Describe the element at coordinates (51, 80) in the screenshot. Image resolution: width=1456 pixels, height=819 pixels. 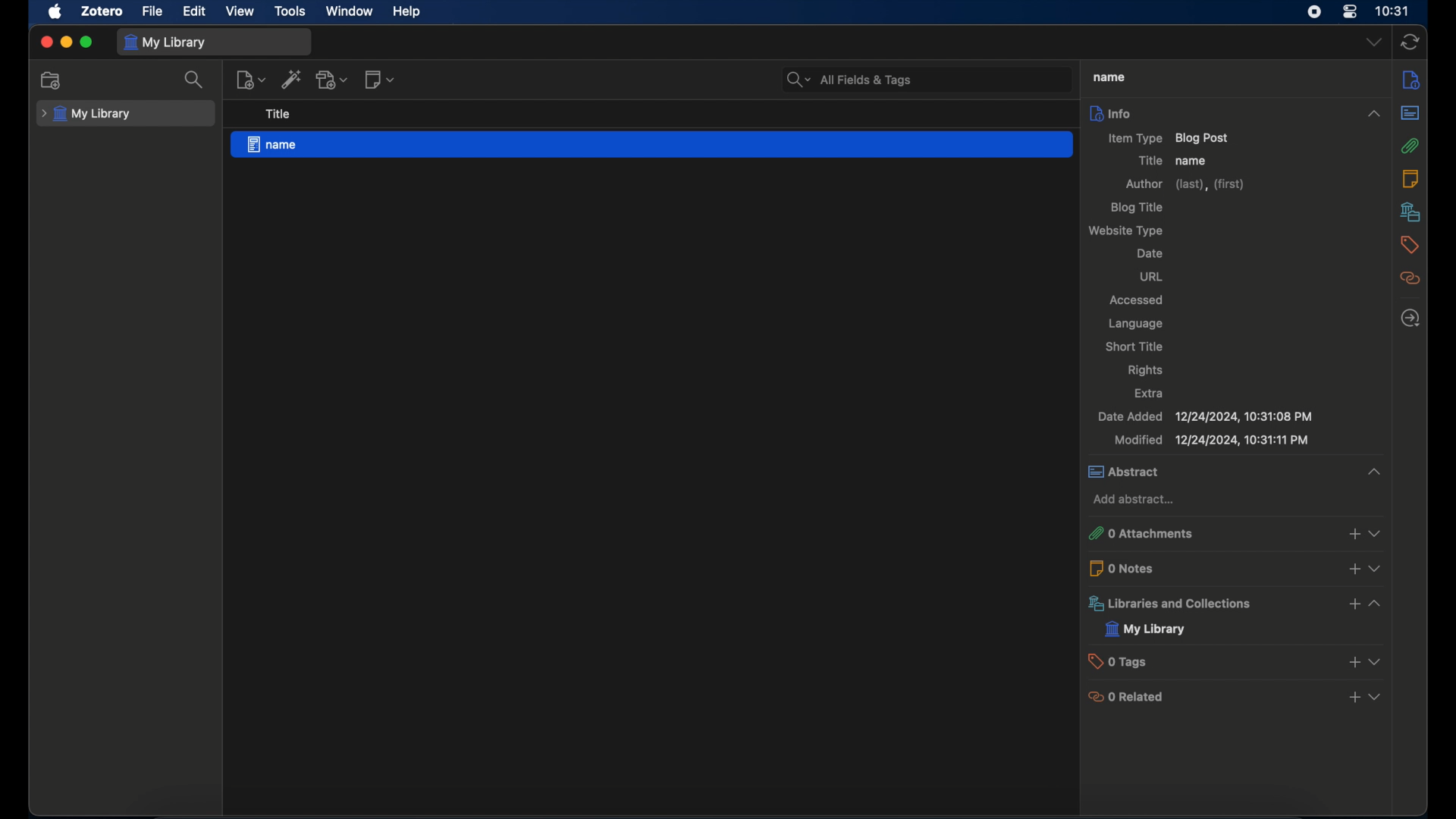
I see `new collection` at that location.